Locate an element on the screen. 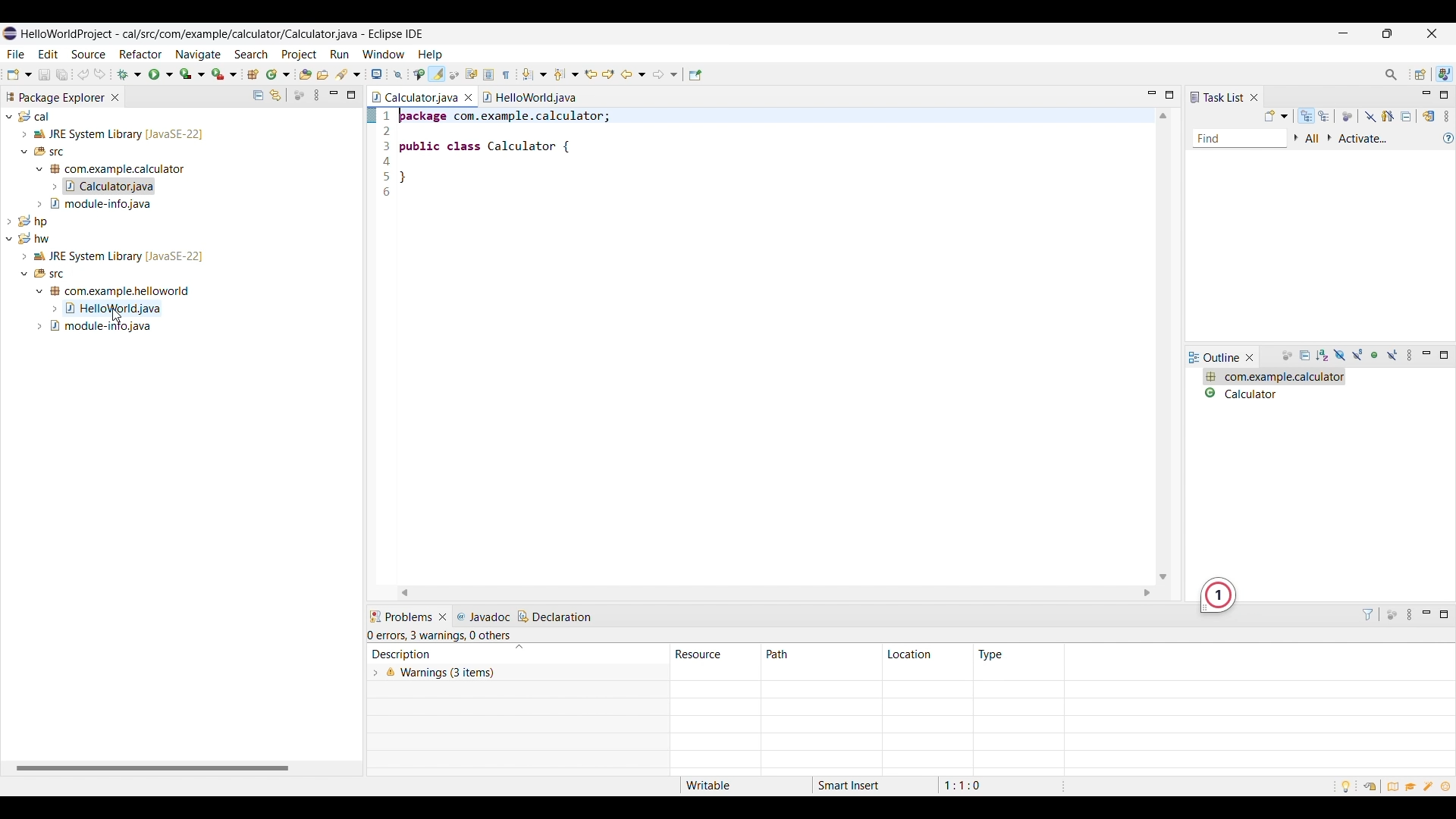 The height and width of the screenshot is (819, 1456). Show whitespace characters is located at coordinates (507, 74).